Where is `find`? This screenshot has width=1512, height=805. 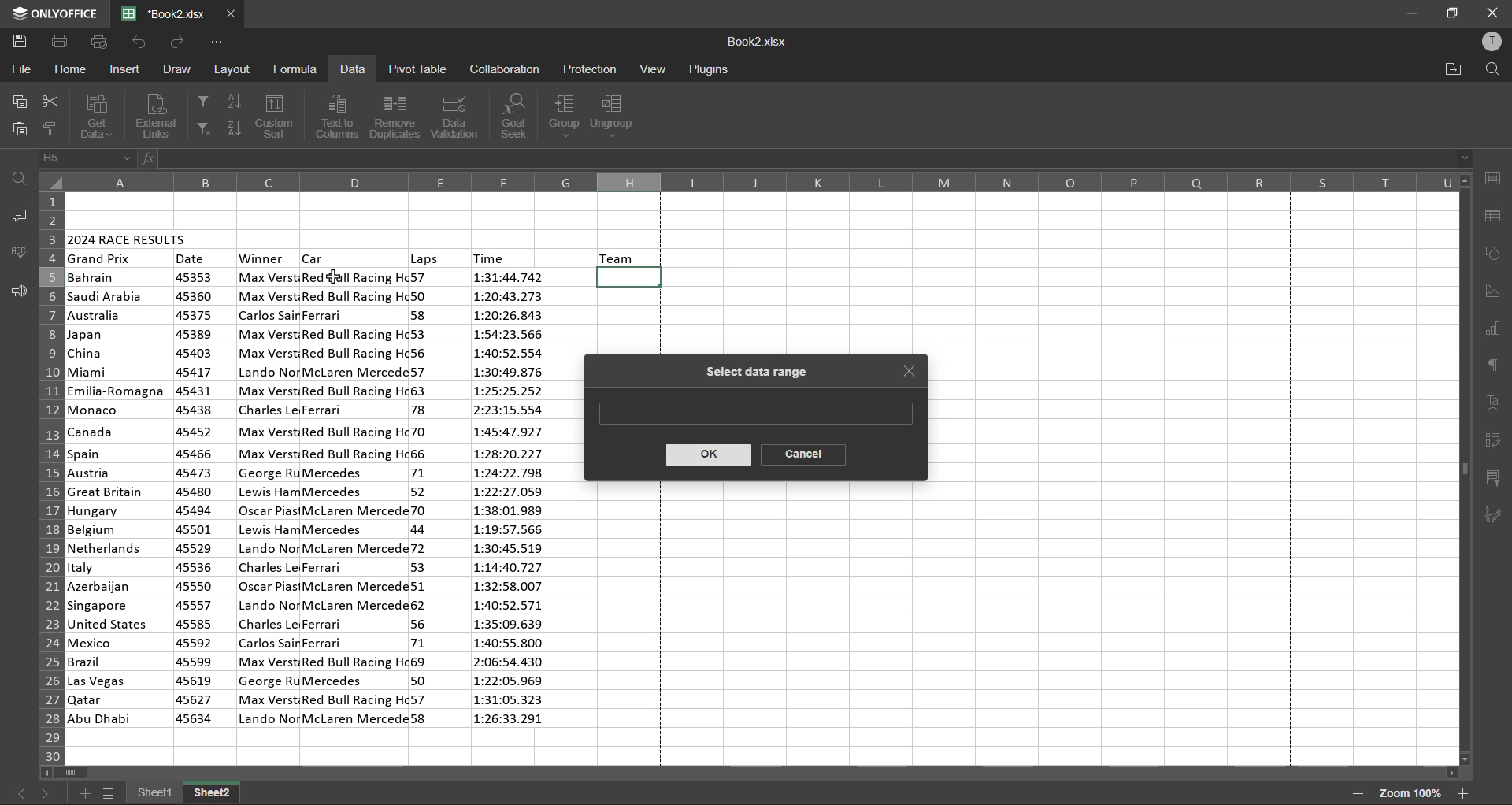
find is located at coordinates (1488, 69).